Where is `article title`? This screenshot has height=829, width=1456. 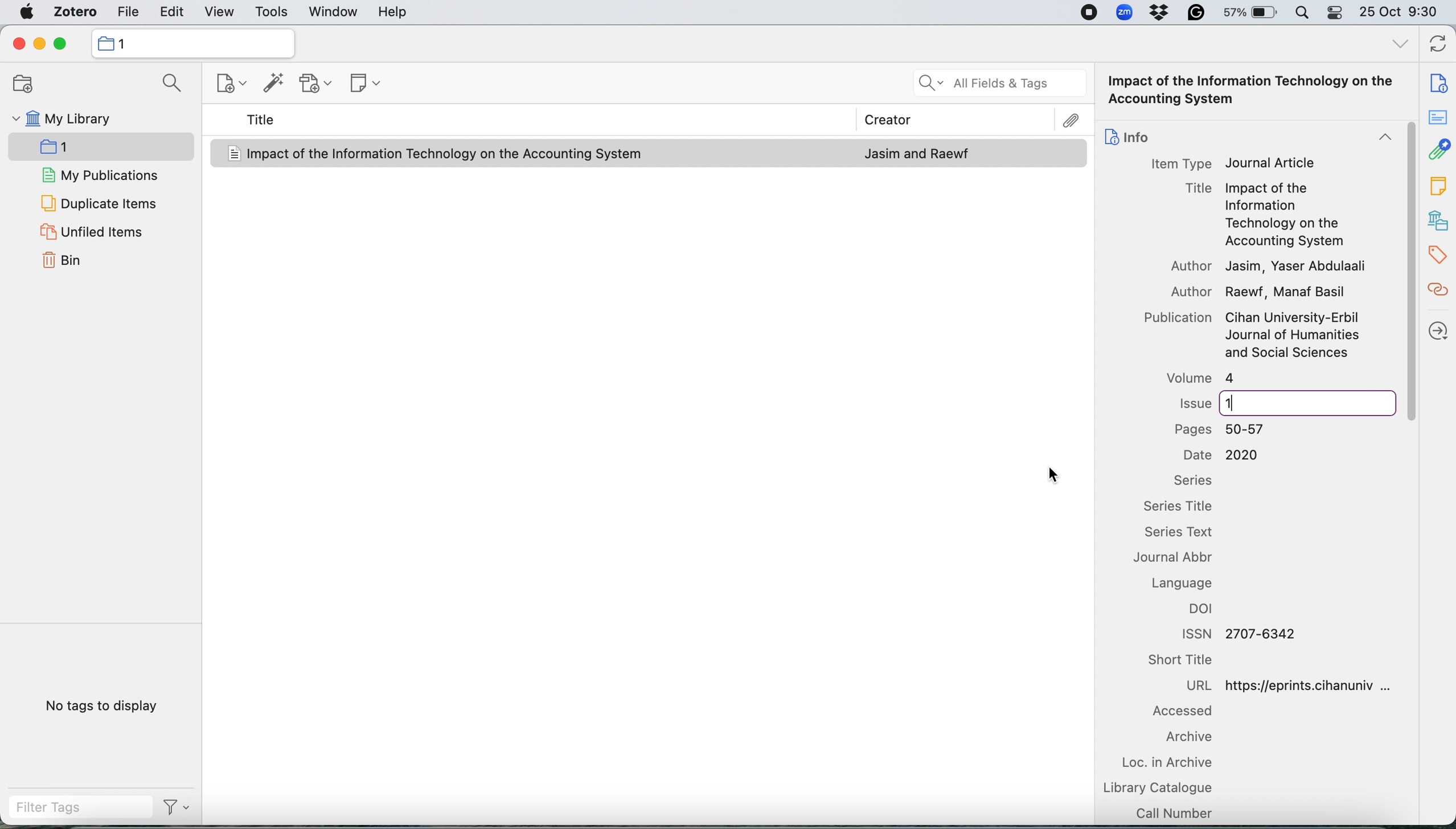
article title is located at coordinates (1197, 187).